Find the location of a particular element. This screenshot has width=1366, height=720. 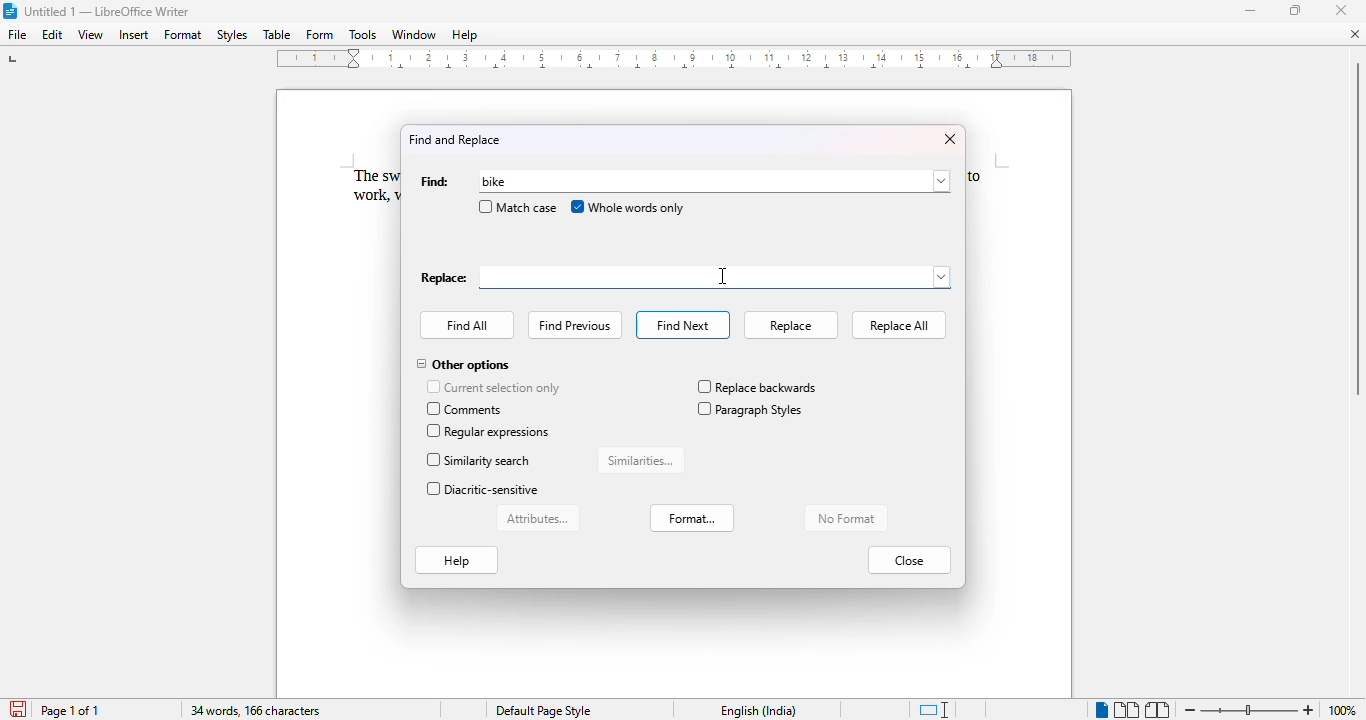

Untitled 1 -- LibreOffice Writer is located at coordinates (108, 13).